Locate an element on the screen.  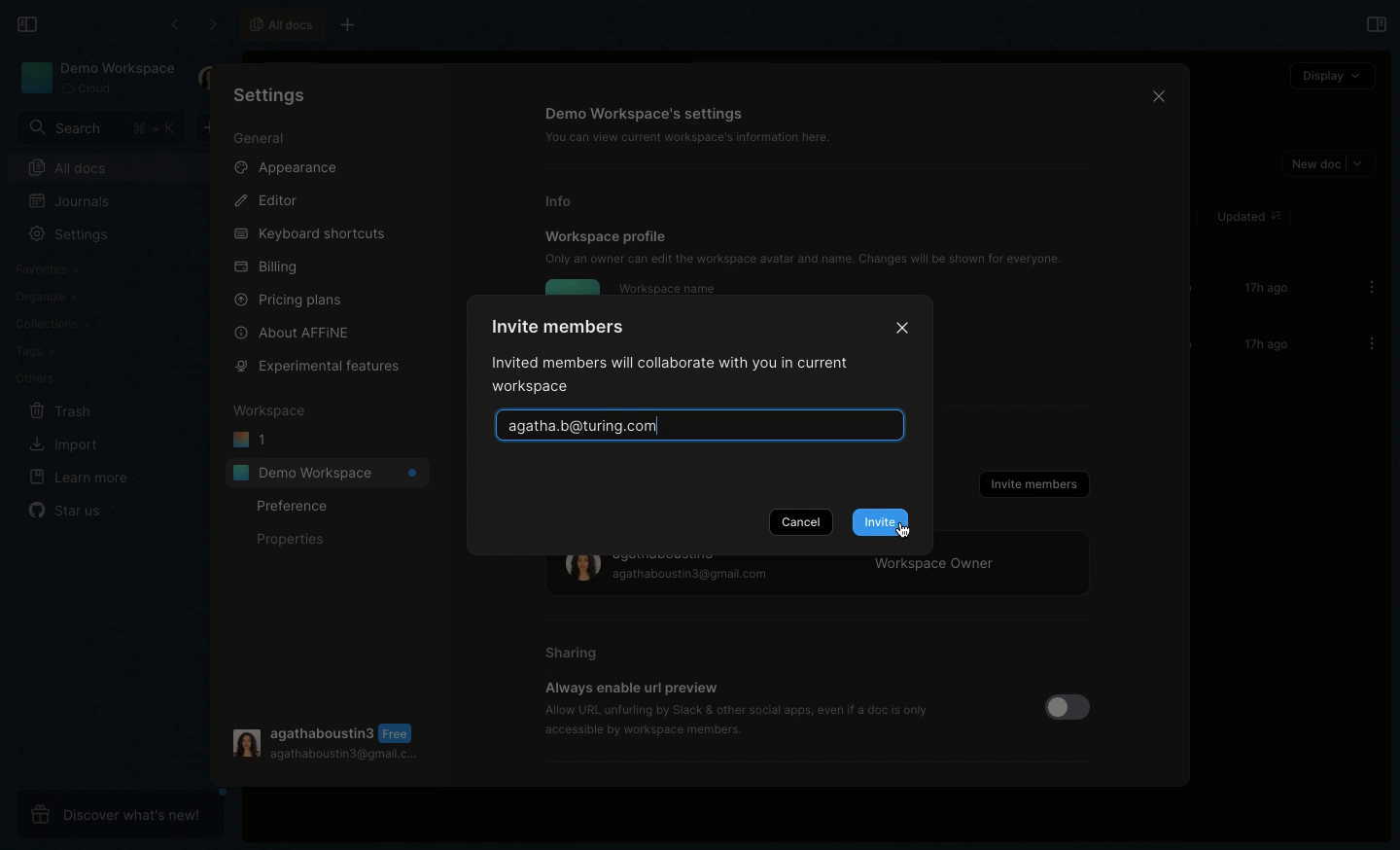
Toggle is located at coordinates (1065, 708).